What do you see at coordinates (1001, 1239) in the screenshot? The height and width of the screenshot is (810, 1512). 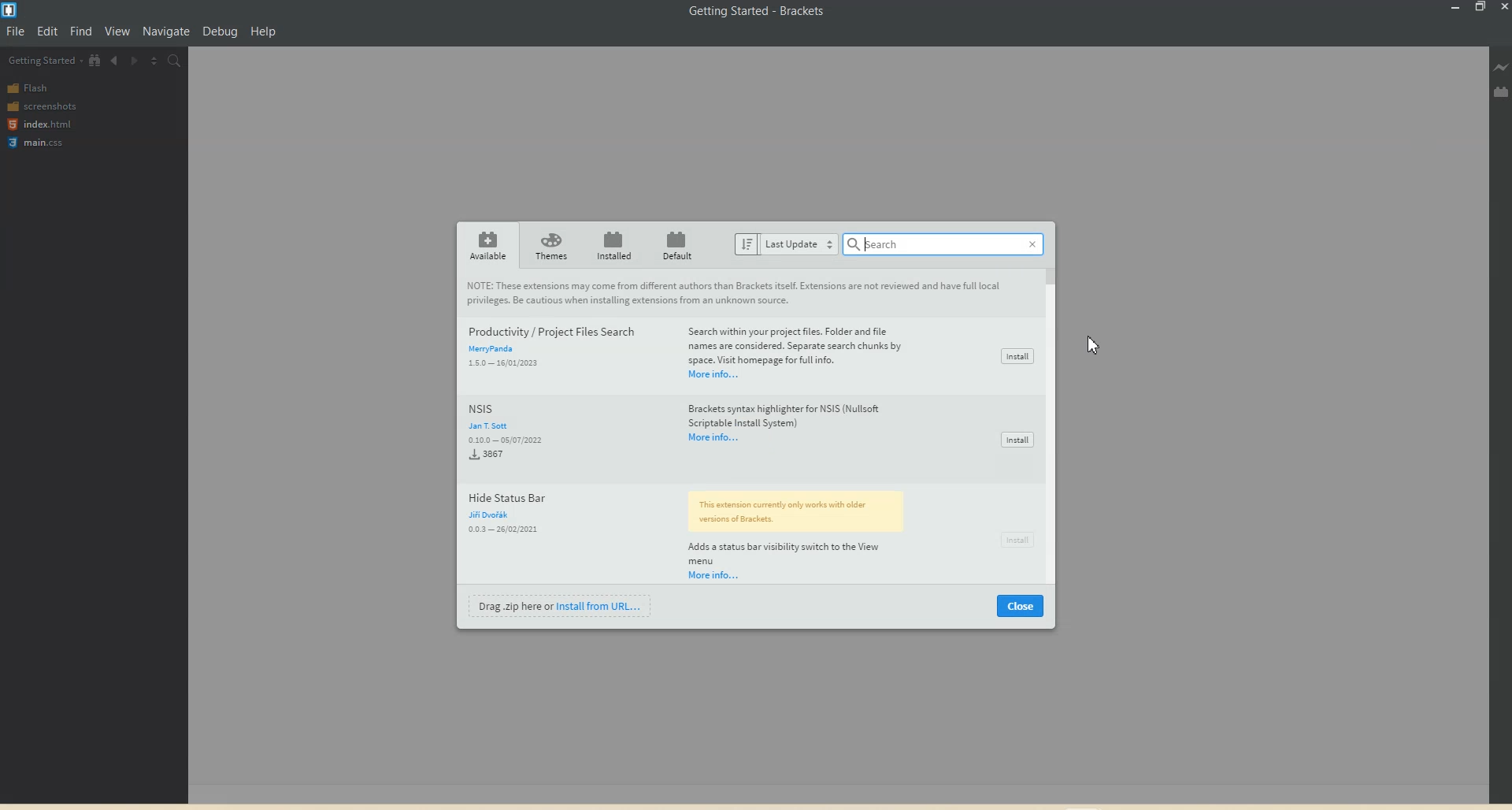 I see `Install from URL` at bounding box center [1001, 1239].